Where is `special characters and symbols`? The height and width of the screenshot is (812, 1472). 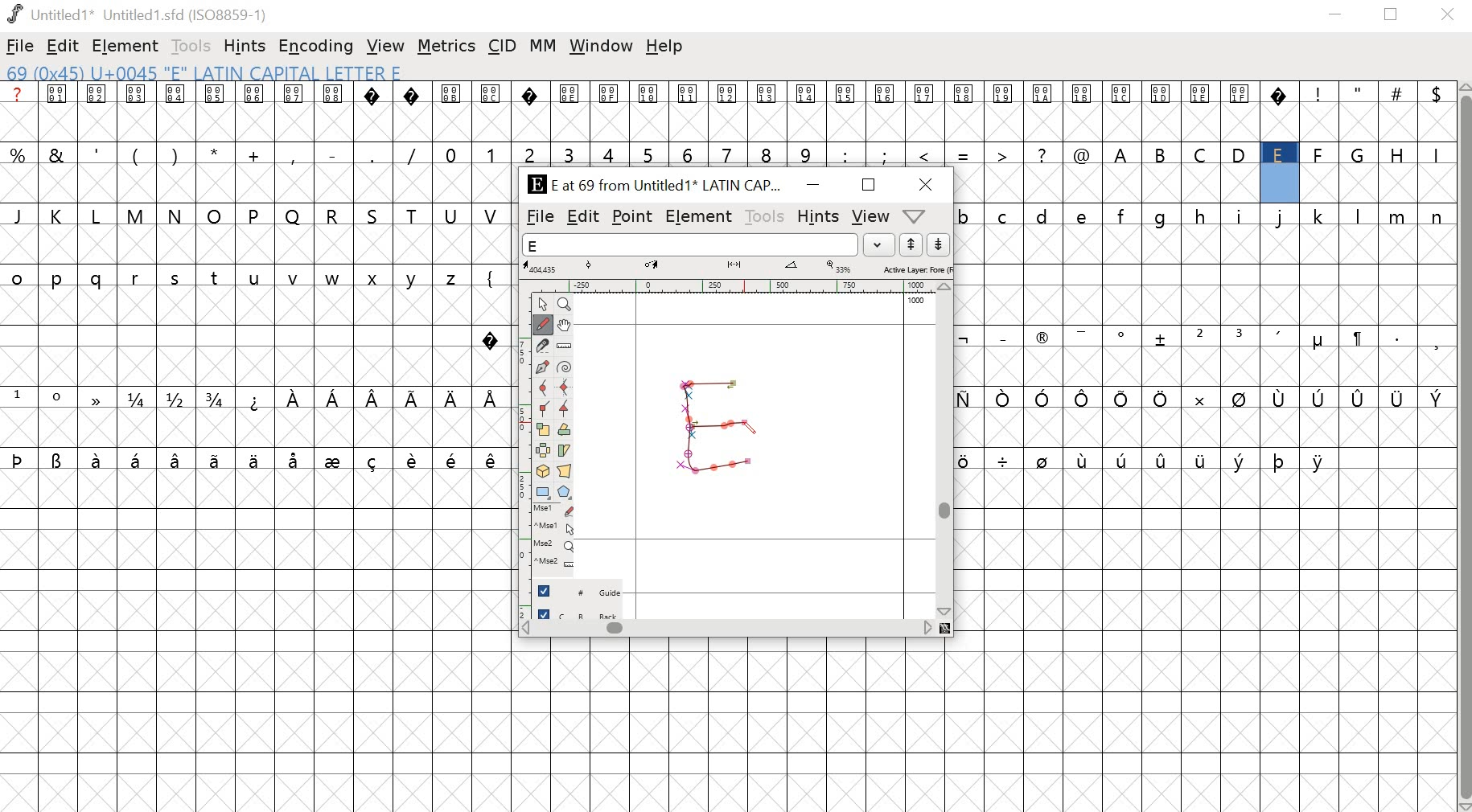 special characters and symbols is located at coordinates (1205, 338).